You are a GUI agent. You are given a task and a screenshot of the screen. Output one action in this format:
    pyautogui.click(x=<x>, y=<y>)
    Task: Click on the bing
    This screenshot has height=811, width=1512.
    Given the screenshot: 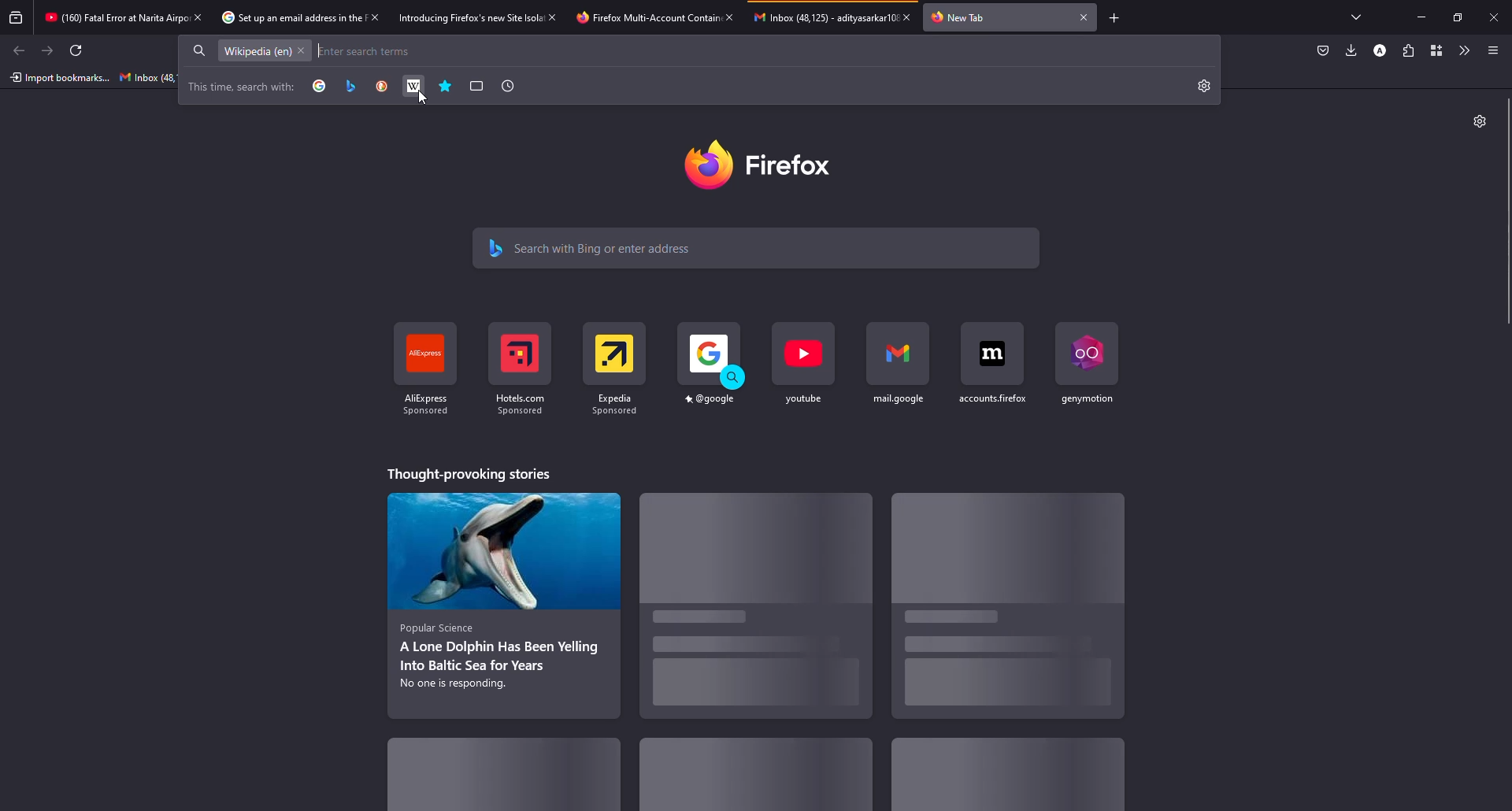 What is the action you would take?
    pyautogui.click(x=350, y=87)
    